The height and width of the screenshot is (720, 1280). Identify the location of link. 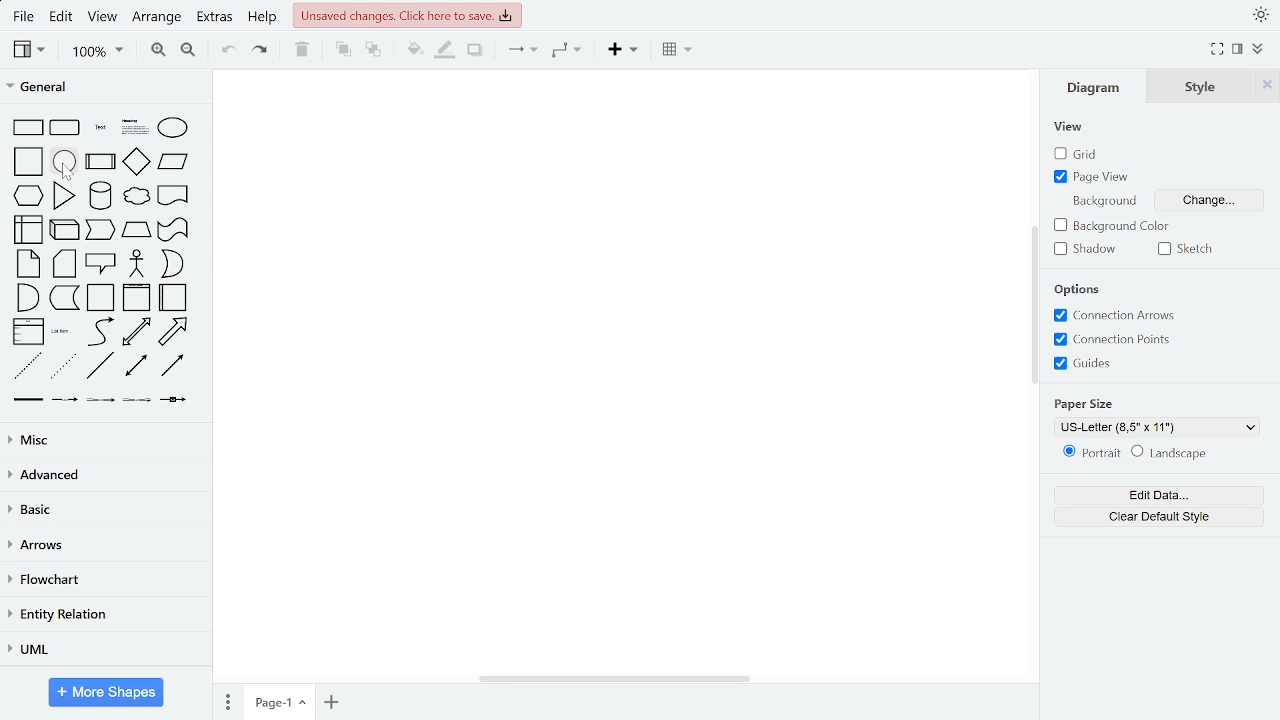
(27, 400).